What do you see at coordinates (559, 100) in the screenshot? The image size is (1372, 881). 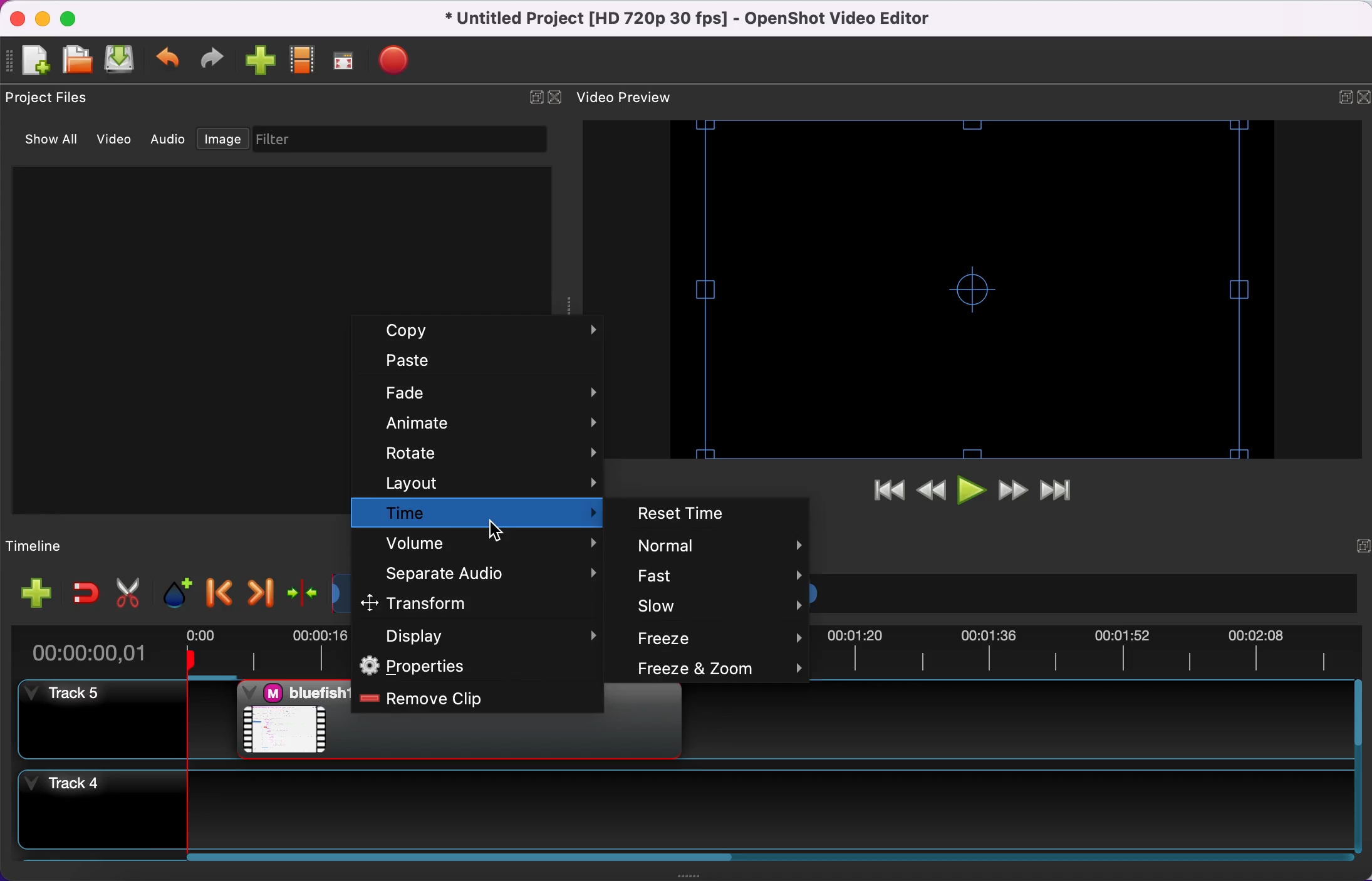 I see `close` at bounding box center [559, 100].